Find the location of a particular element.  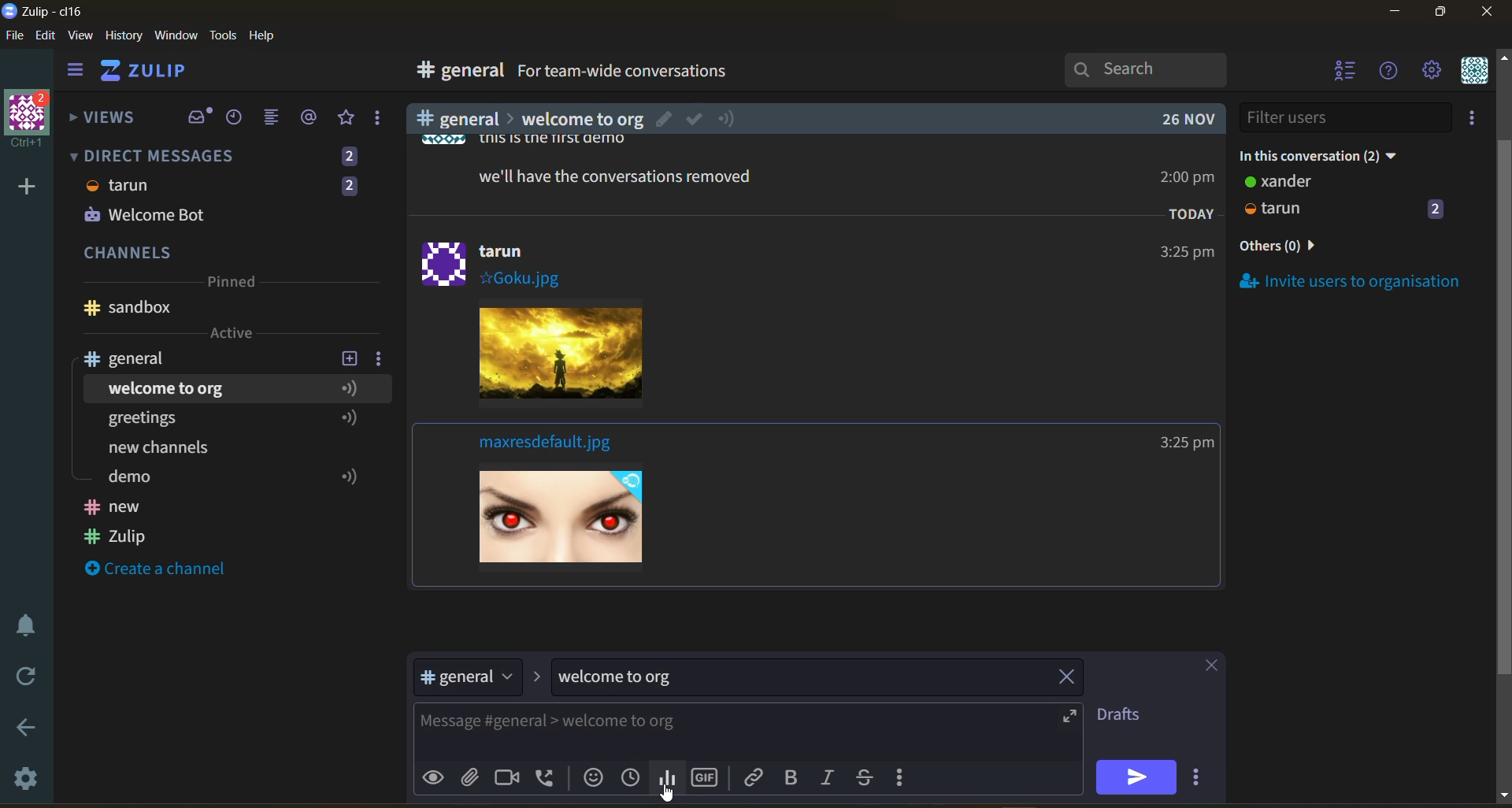

organisation is located at coordinates (31, 120).